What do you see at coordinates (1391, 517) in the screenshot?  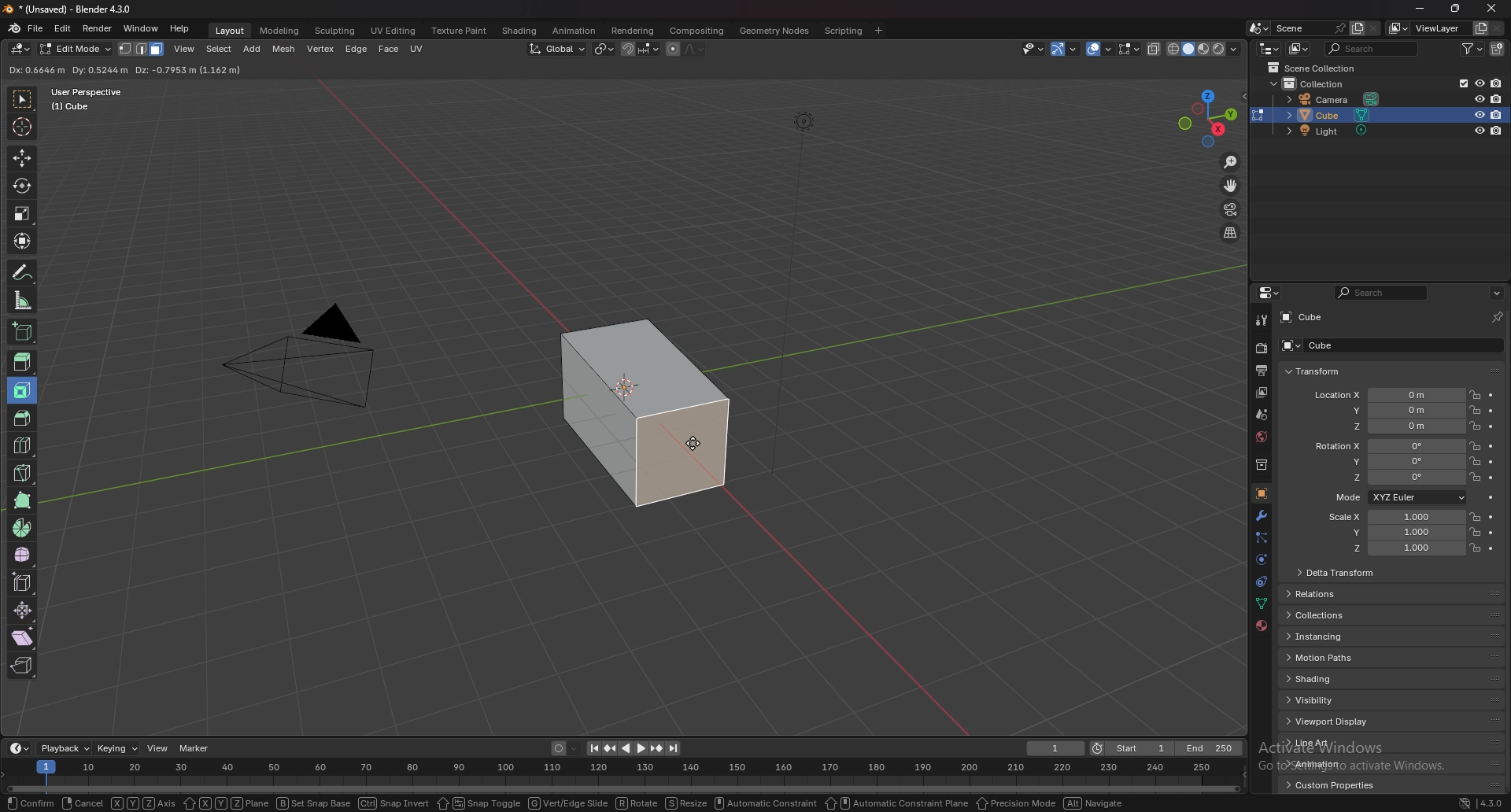 I see `scale x` at bounding box center [1391, 517].